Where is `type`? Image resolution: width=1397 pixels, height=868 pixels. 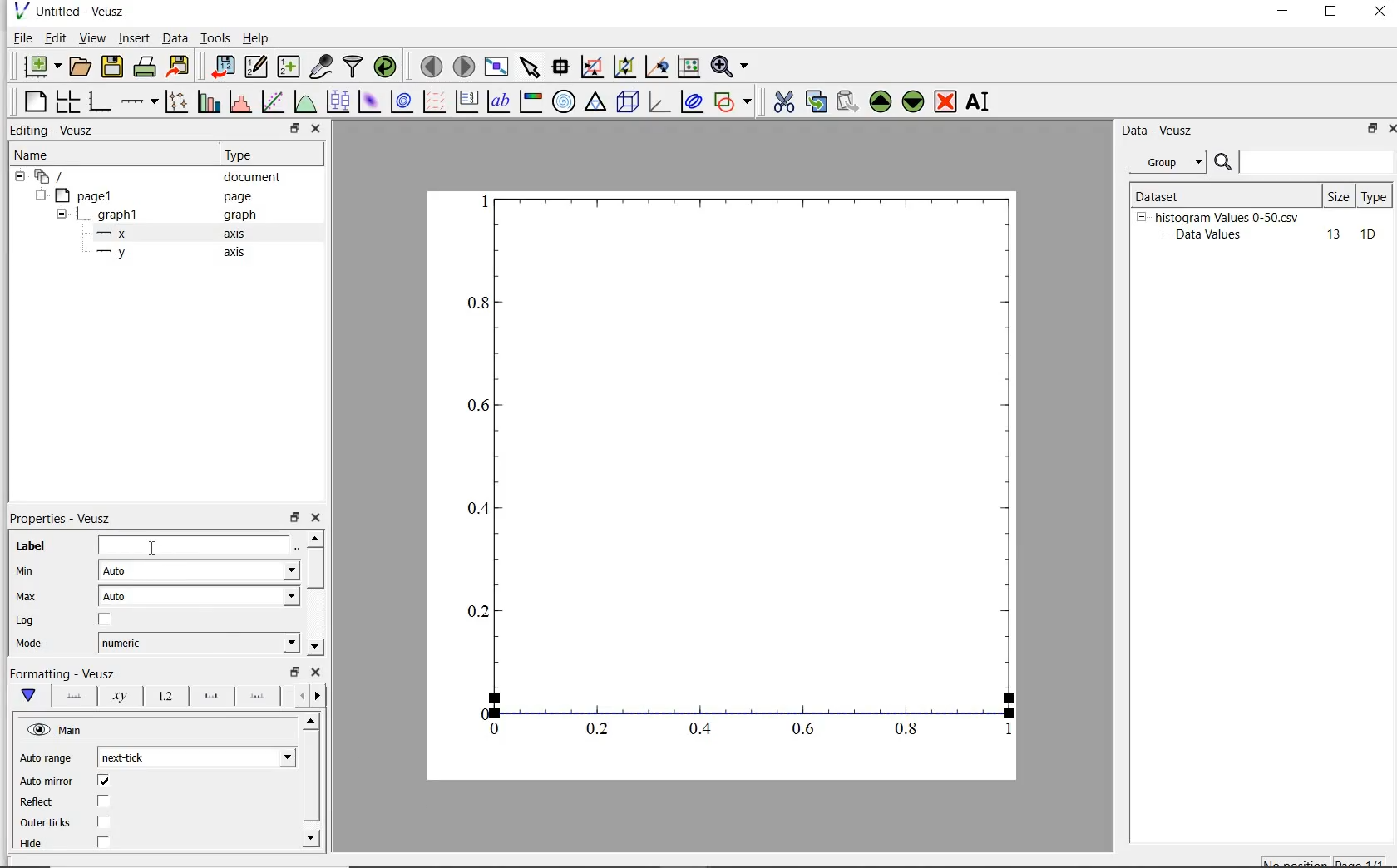 type is located at coordinates (1375, 195).